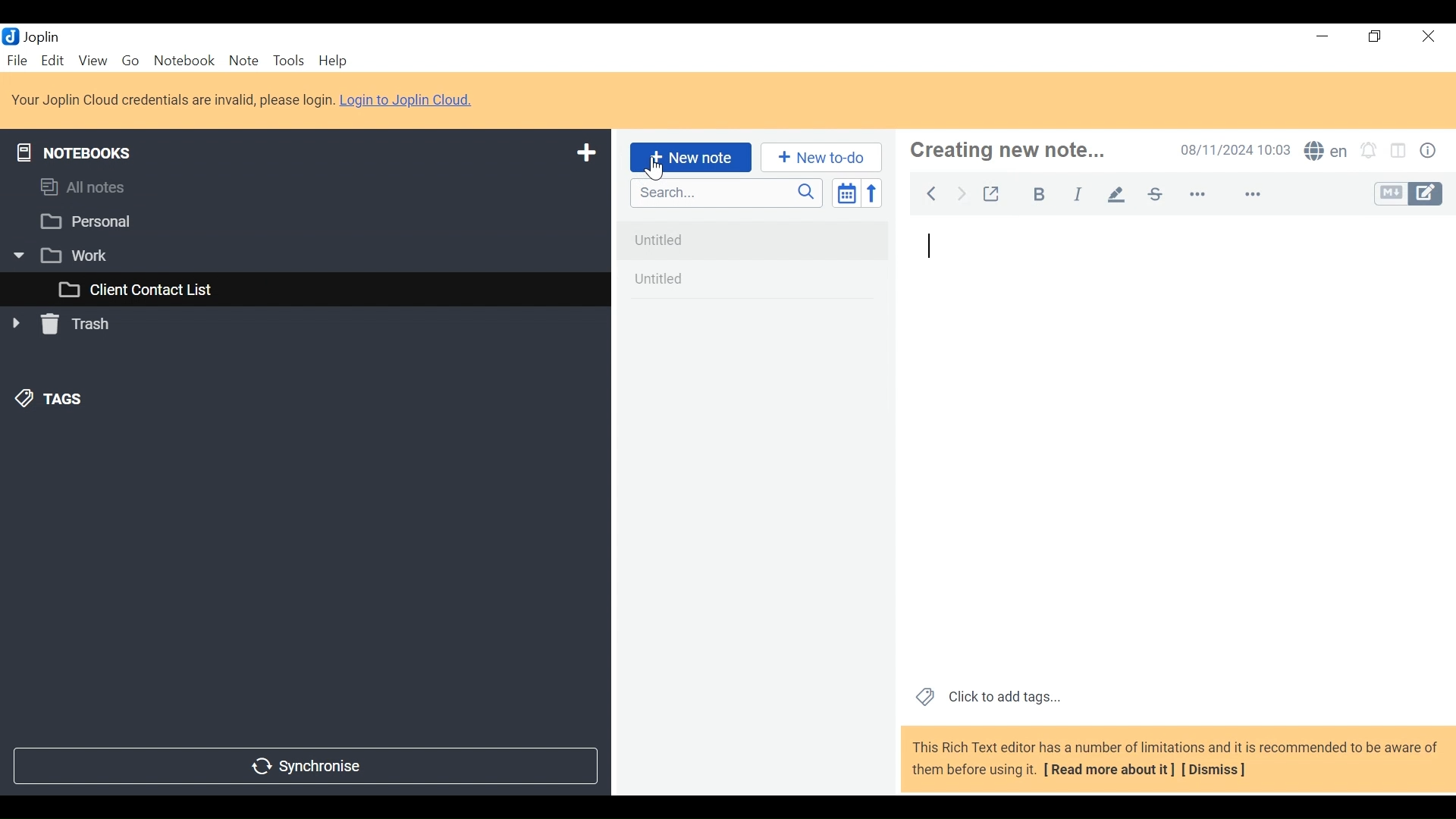  Describe the element at coordinates (1375, 36) in the screenshot. I see `Restore` at that location.